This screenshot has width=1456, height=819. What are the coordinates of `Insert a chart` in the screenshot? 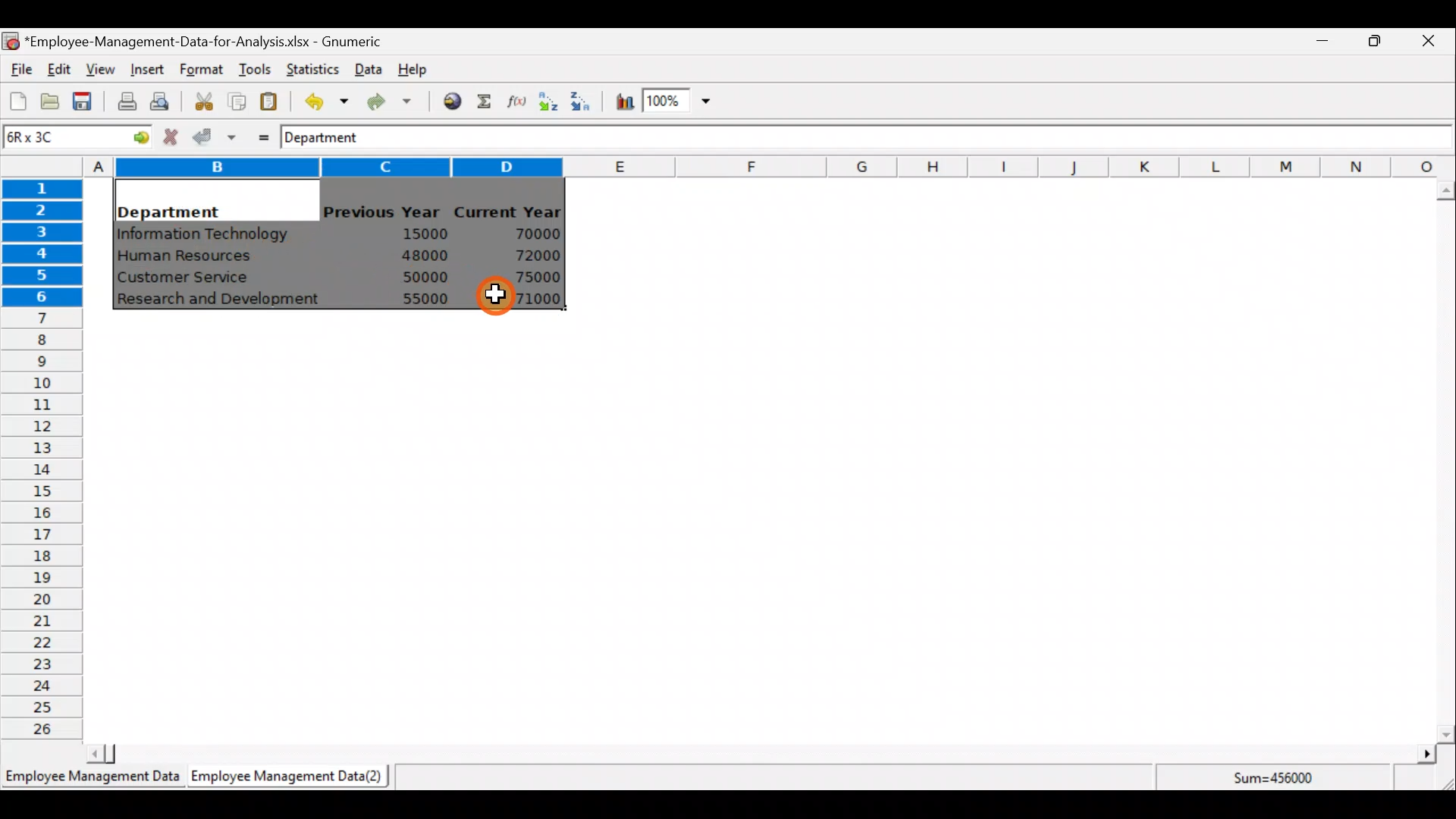 It's located at (621, 103).